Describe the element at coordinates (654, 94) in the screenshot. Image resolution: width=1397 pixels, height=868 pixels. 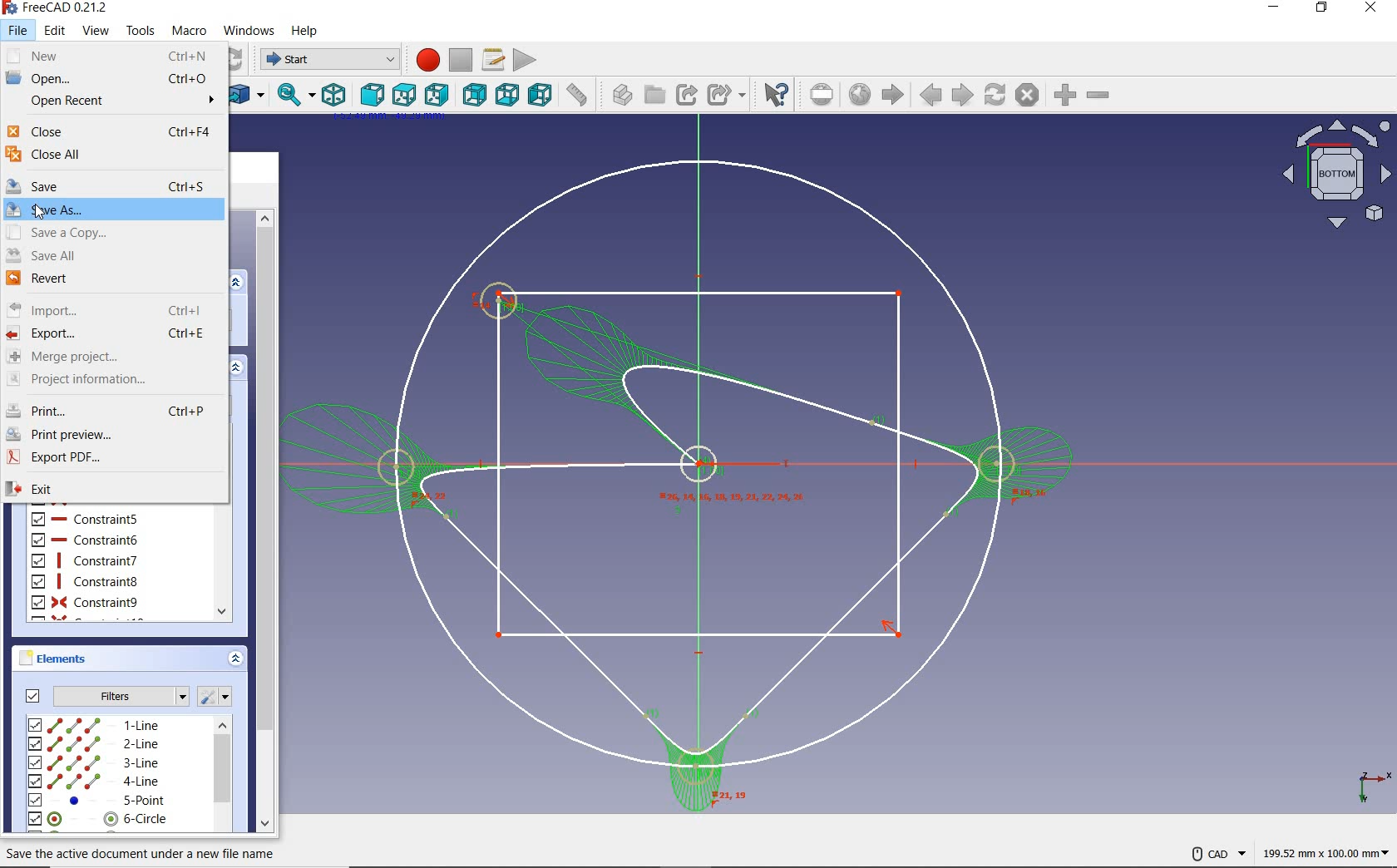
I see `create group` at that location.